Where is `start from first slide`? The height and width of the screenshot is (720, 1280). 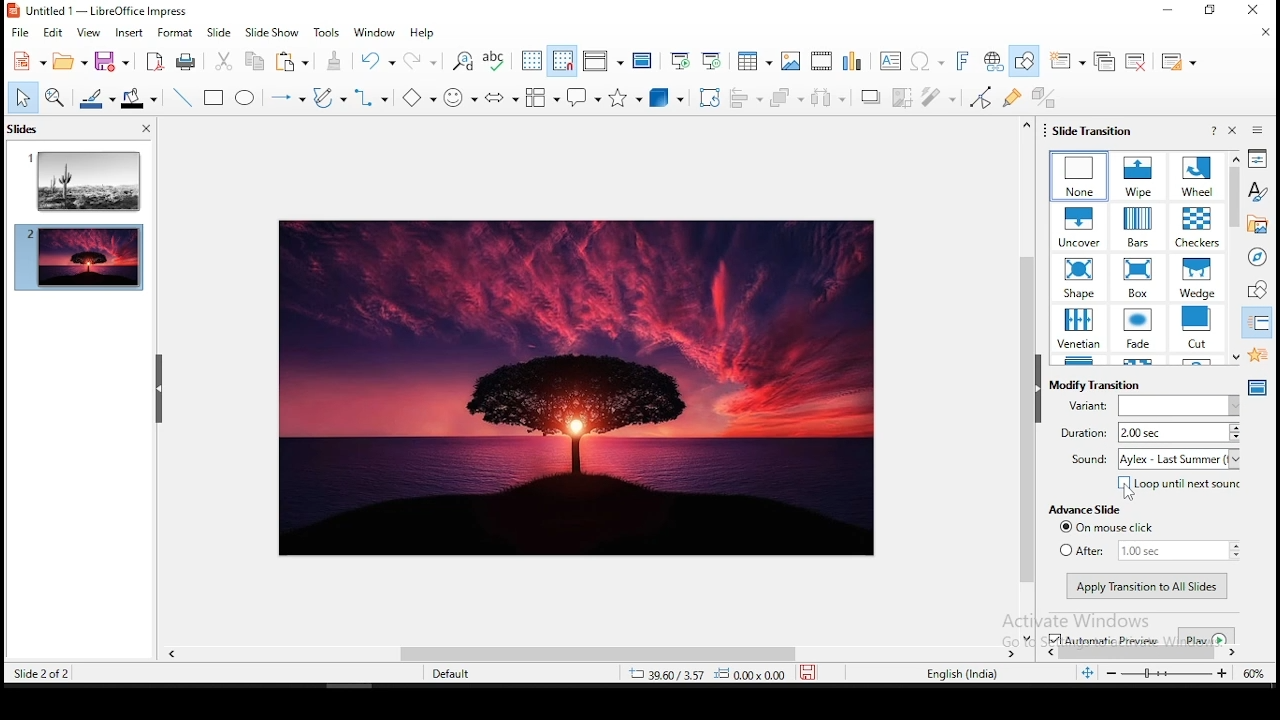 start from first slide is located at coordinates (679, 60).